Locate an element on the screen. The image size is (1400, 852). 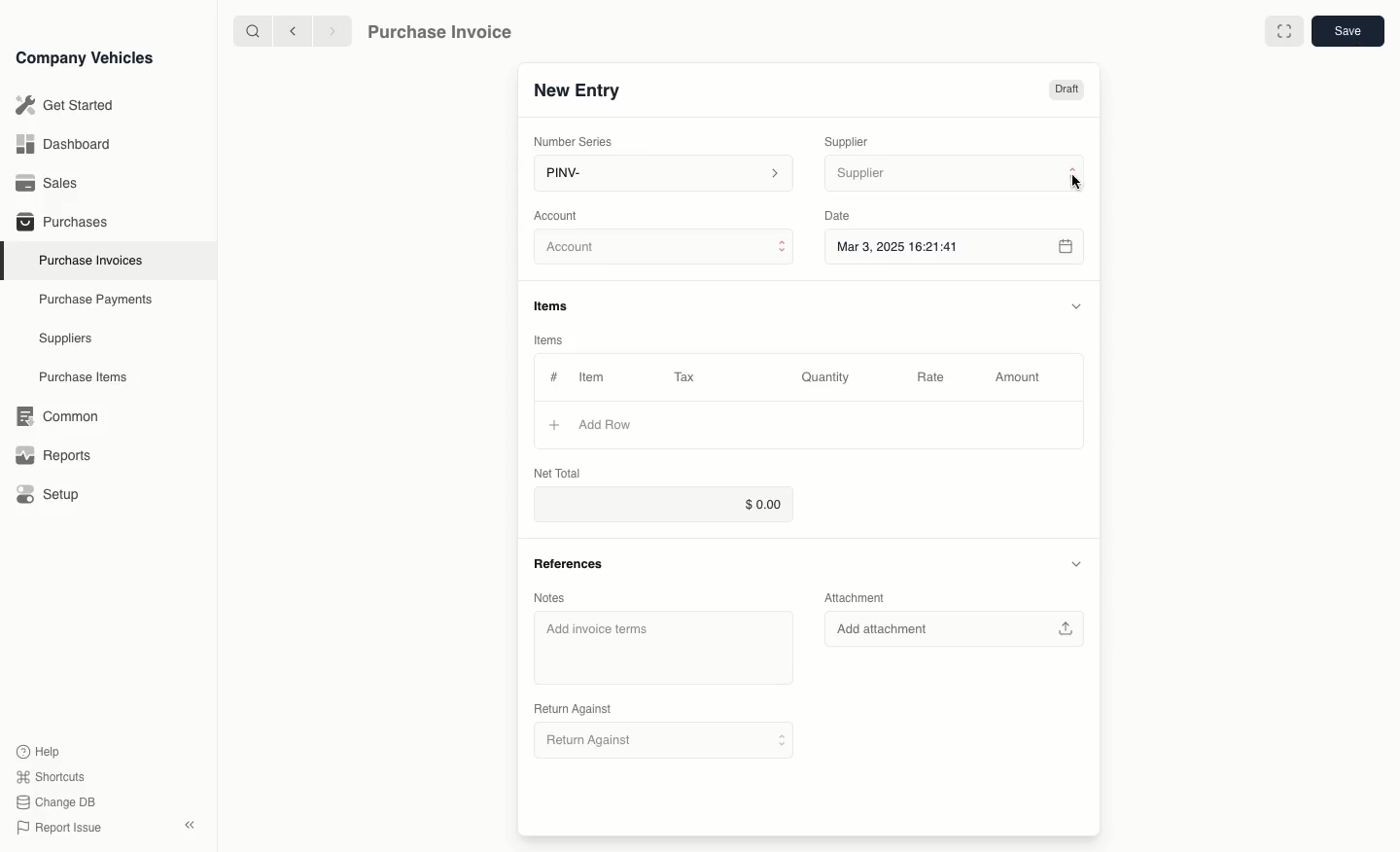
collapse is located at coordinates (1075, 564).